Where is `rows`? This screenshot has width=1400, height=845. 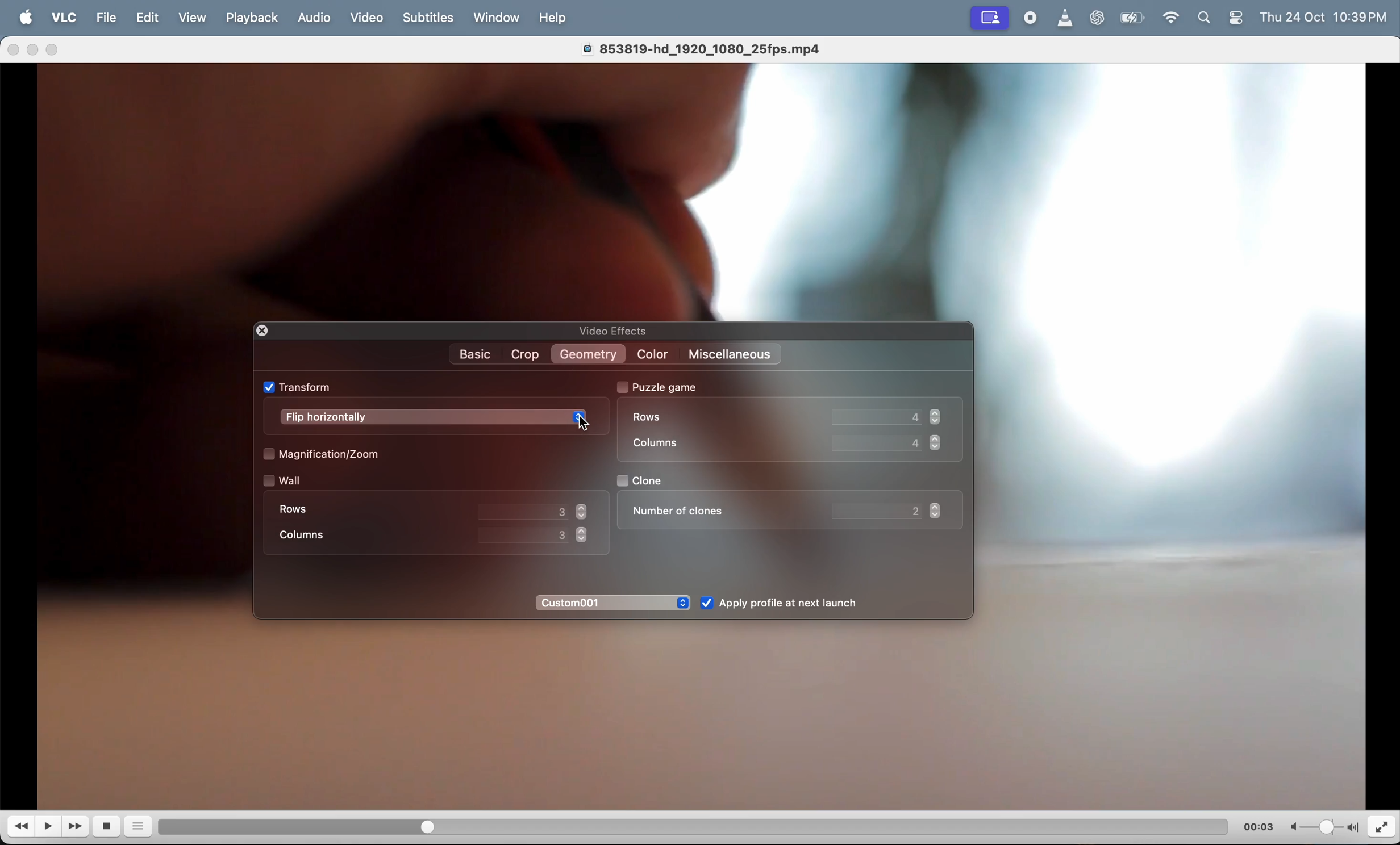
rows is located at coordinates (649, 417).